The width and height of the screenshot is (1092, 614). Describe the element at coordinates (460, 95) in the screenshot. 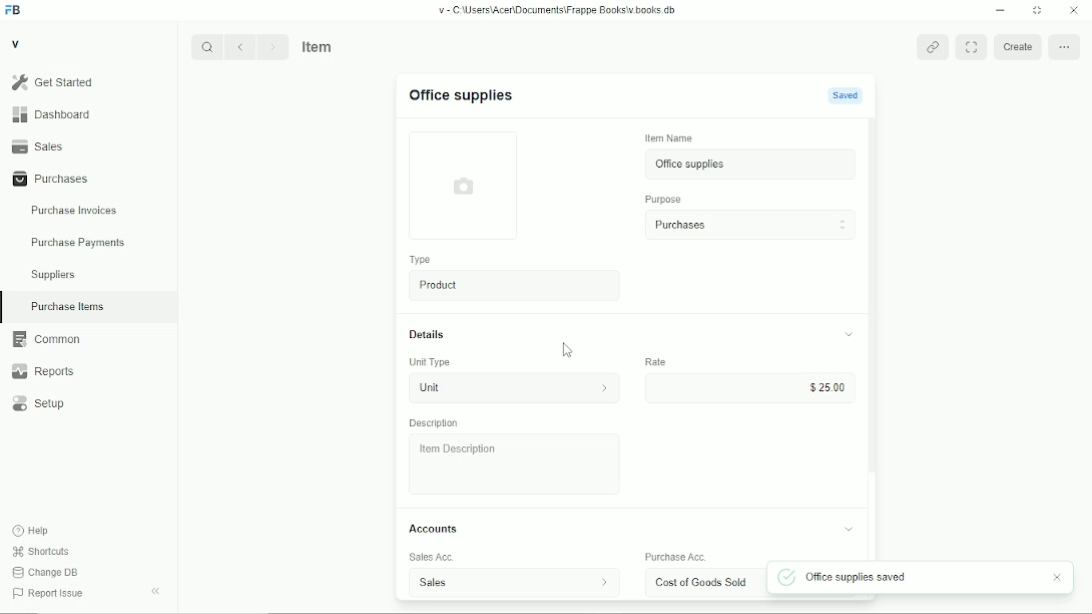

I see `office supplies` at that location.